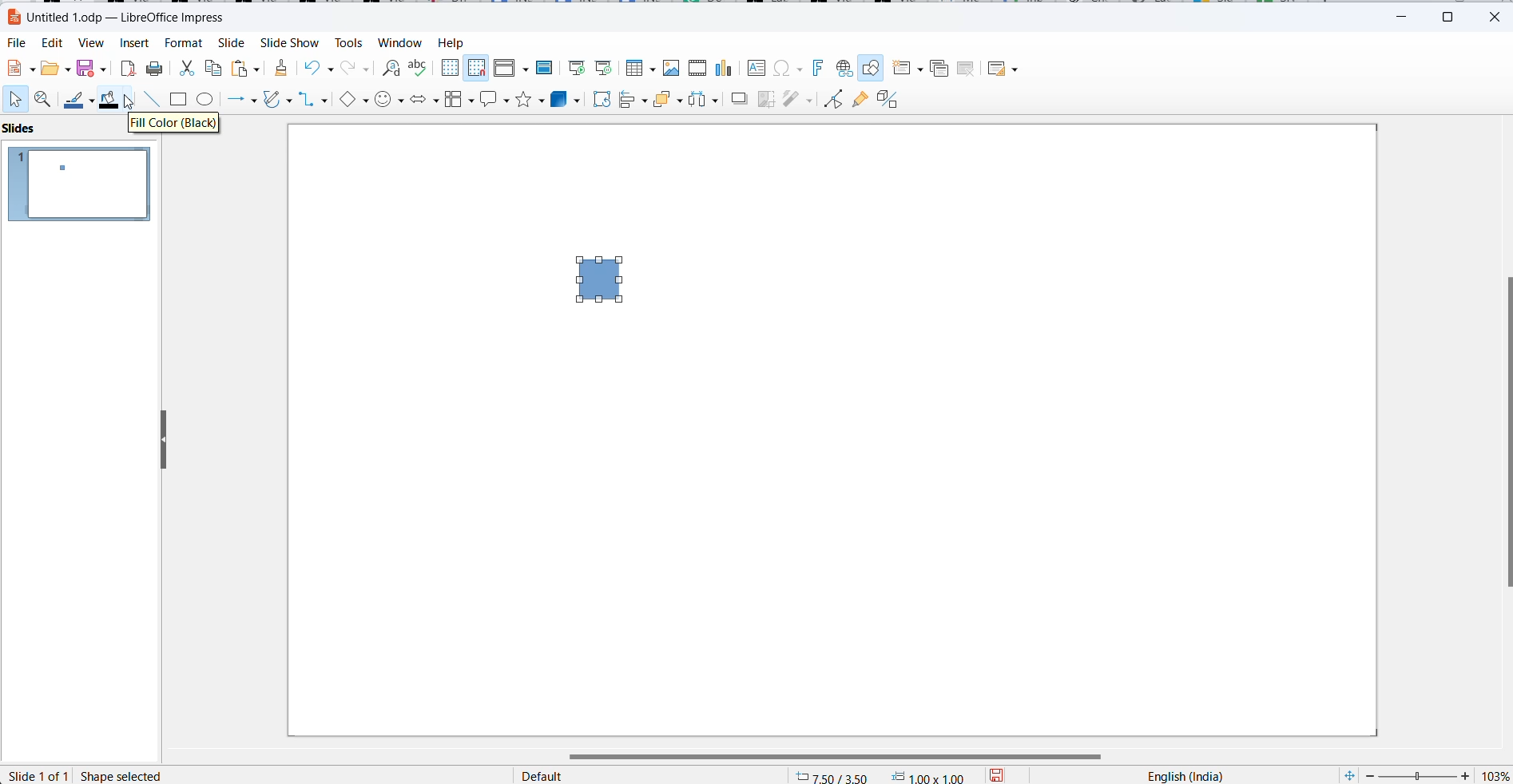  I want to click on shadow, so click(738, 101).